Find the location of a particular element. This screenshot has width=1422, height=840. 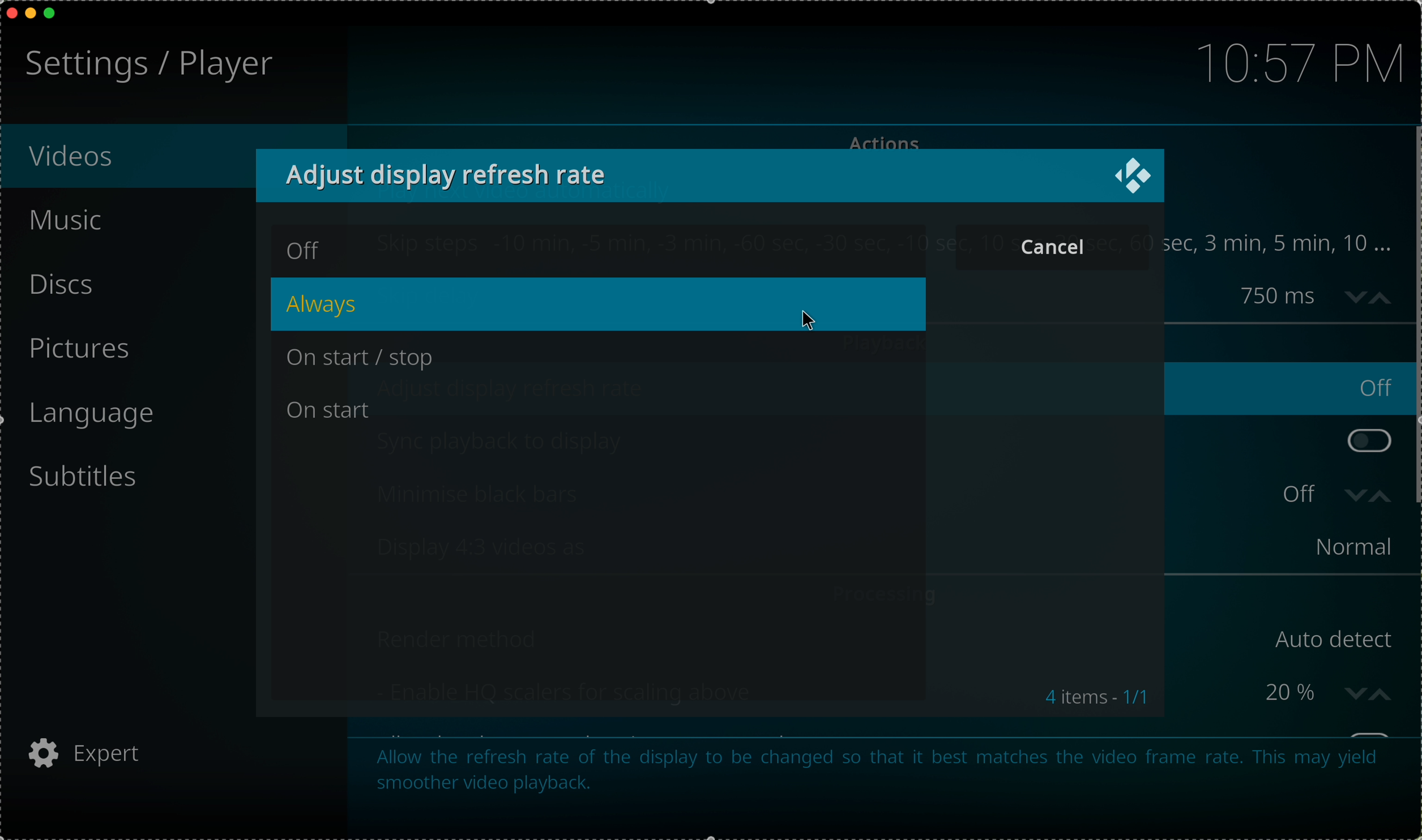

Allow the refresh rate of the display to be changed so that it best matches the video frame rate. This may yield
smoother video playback. is located at coordinates (873, 778).